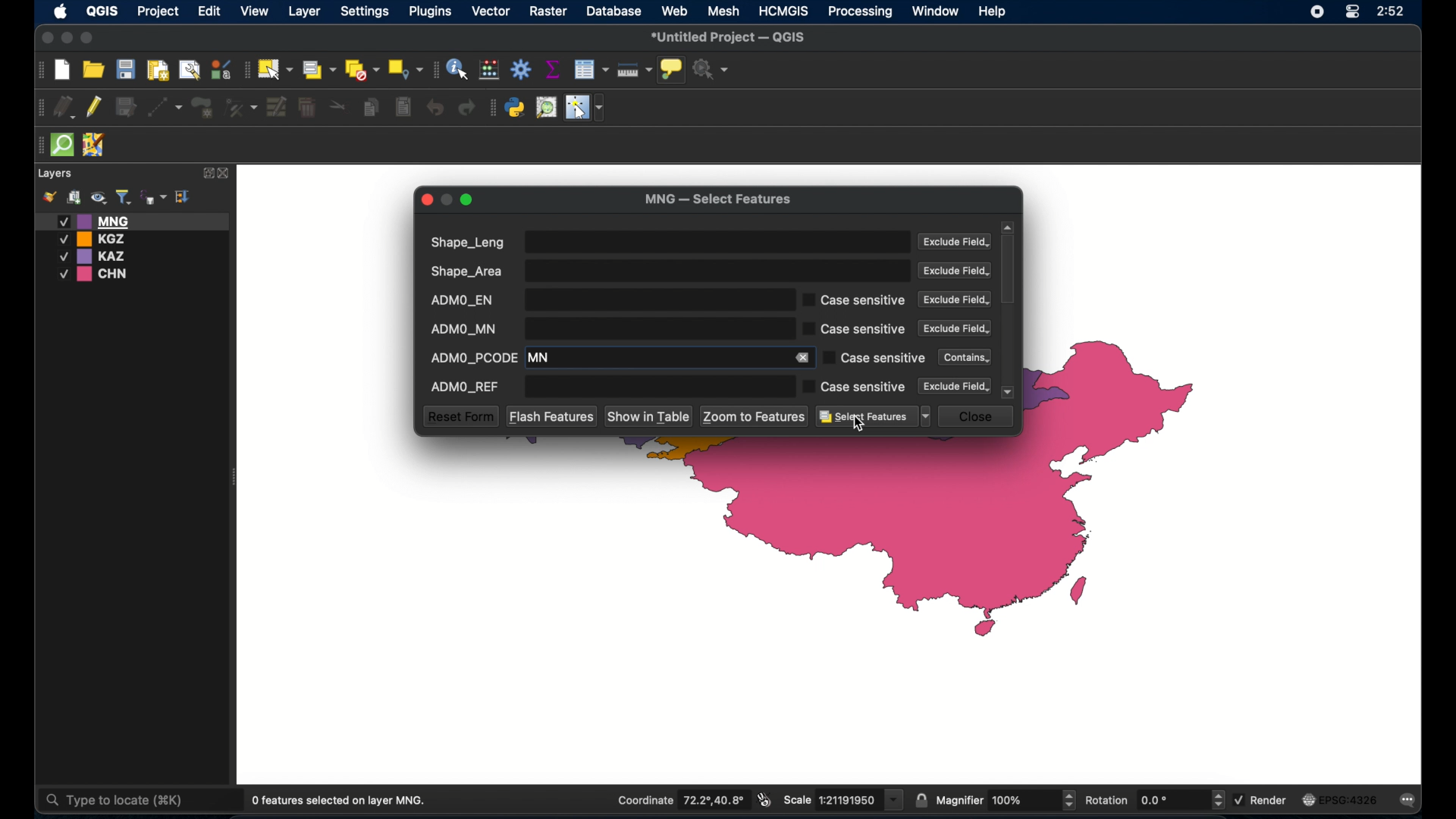 The image size is (1456, 819). Describe the element at coordinates (56, 174) in the screenshot. I see `layers` at that location.